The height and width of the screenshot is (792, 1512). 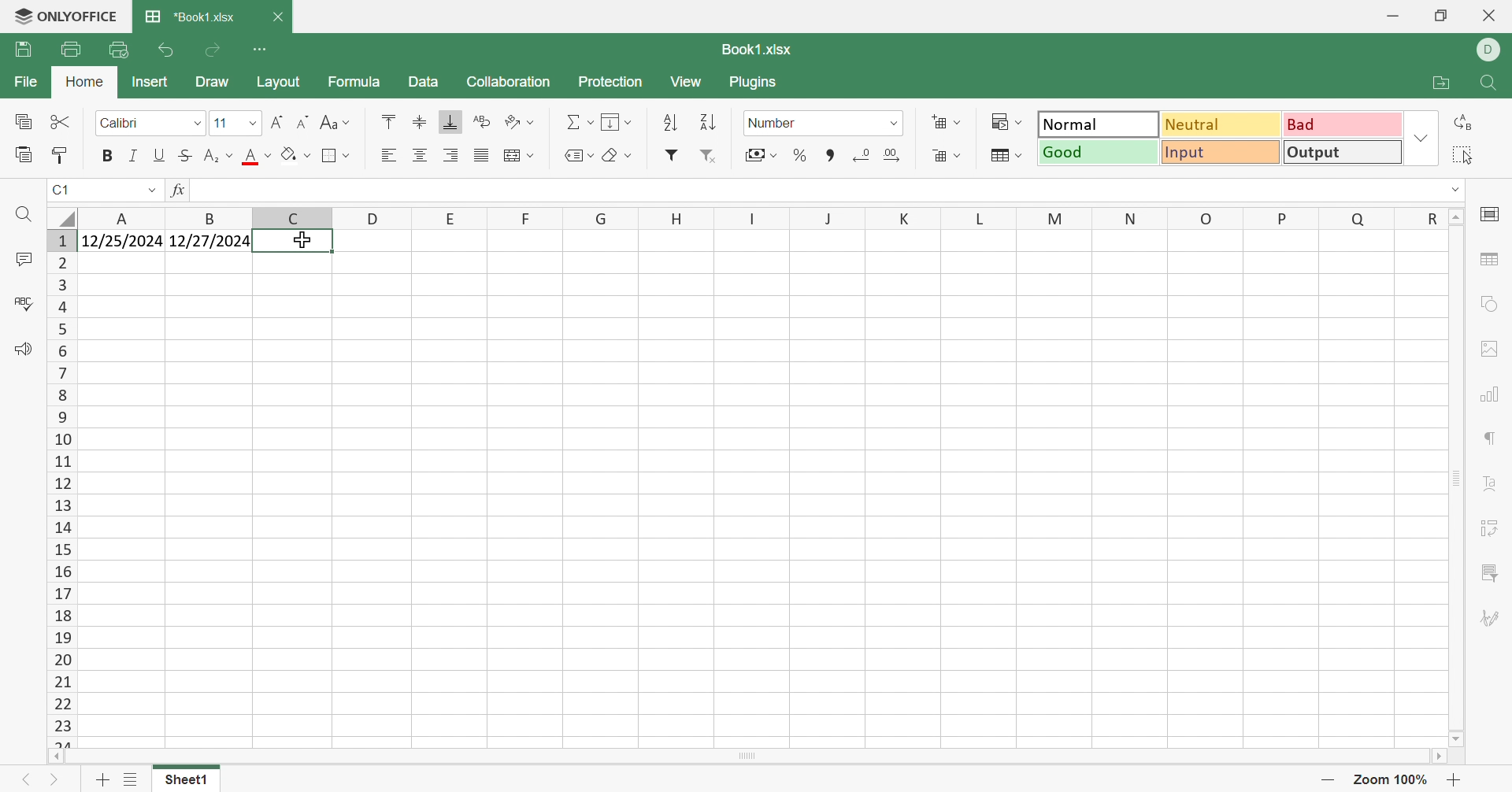 What do you see at coordinates (24, 215) in the screenshot?
I see `Find` at bounding box center [24, 215].